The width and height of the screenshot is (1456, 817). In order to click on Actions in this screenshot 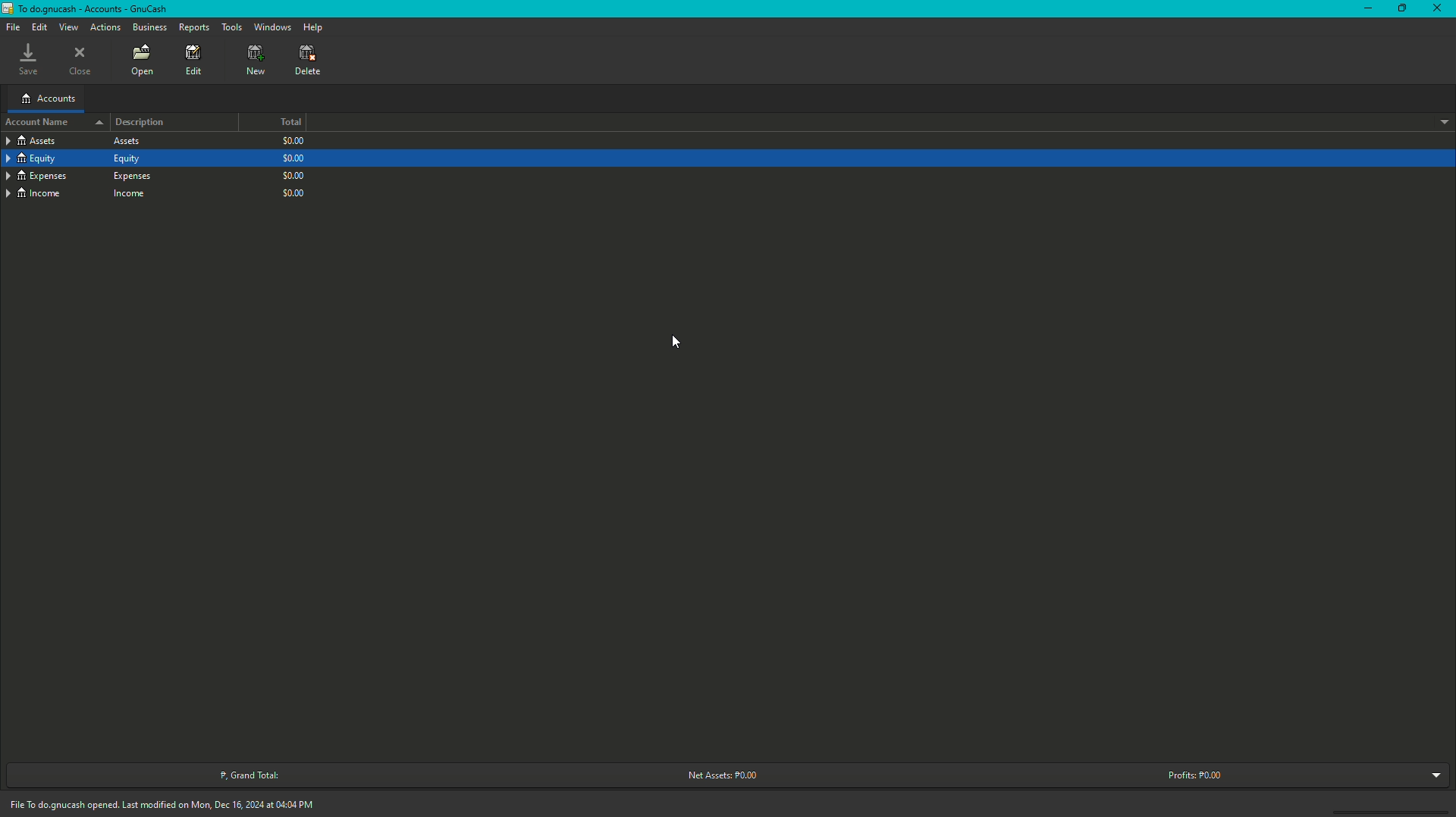, I will do `click(105, 27)`.